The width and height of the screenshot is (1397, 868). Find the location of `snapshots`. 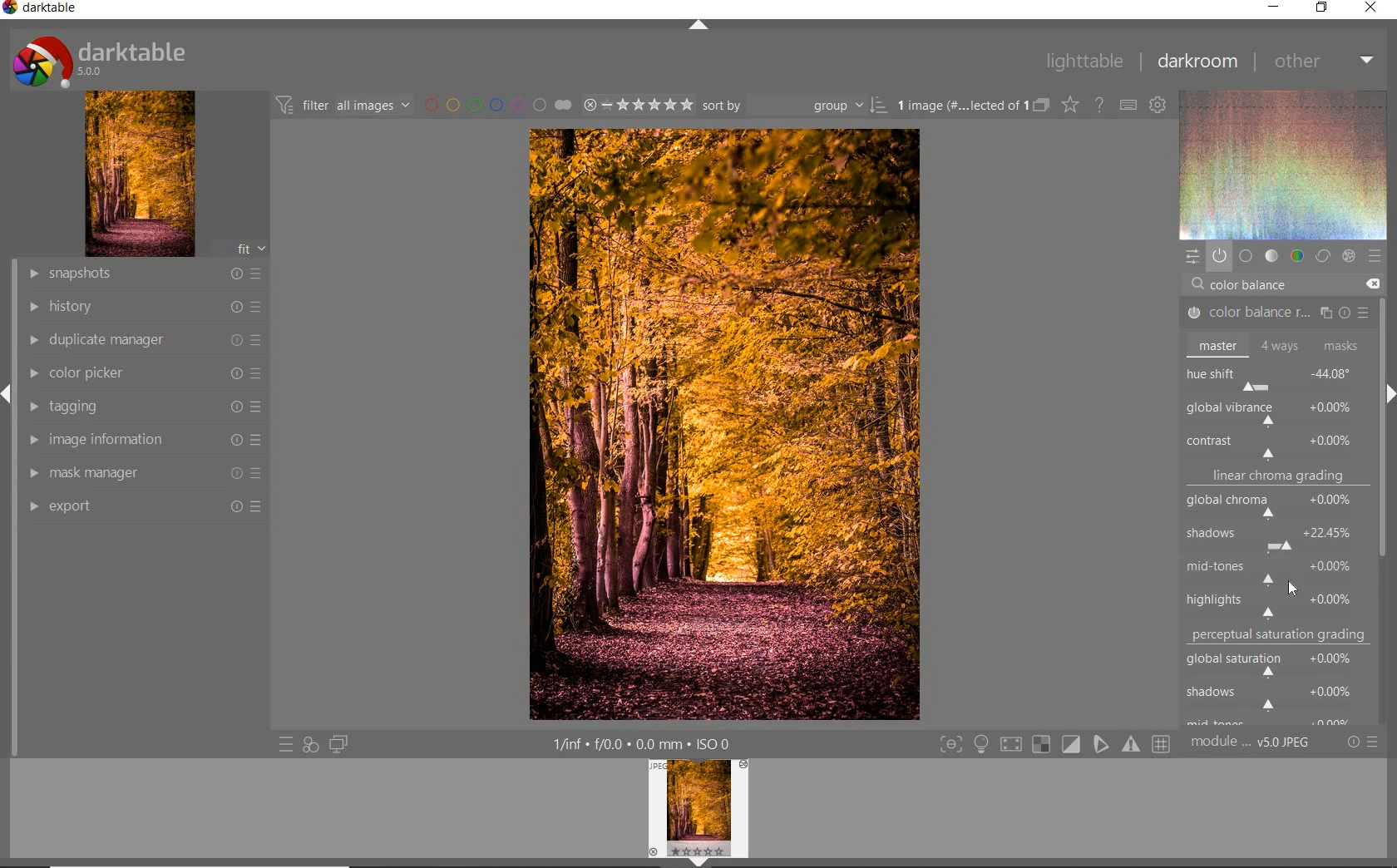

snapshots is located at coordinates (147, 274).